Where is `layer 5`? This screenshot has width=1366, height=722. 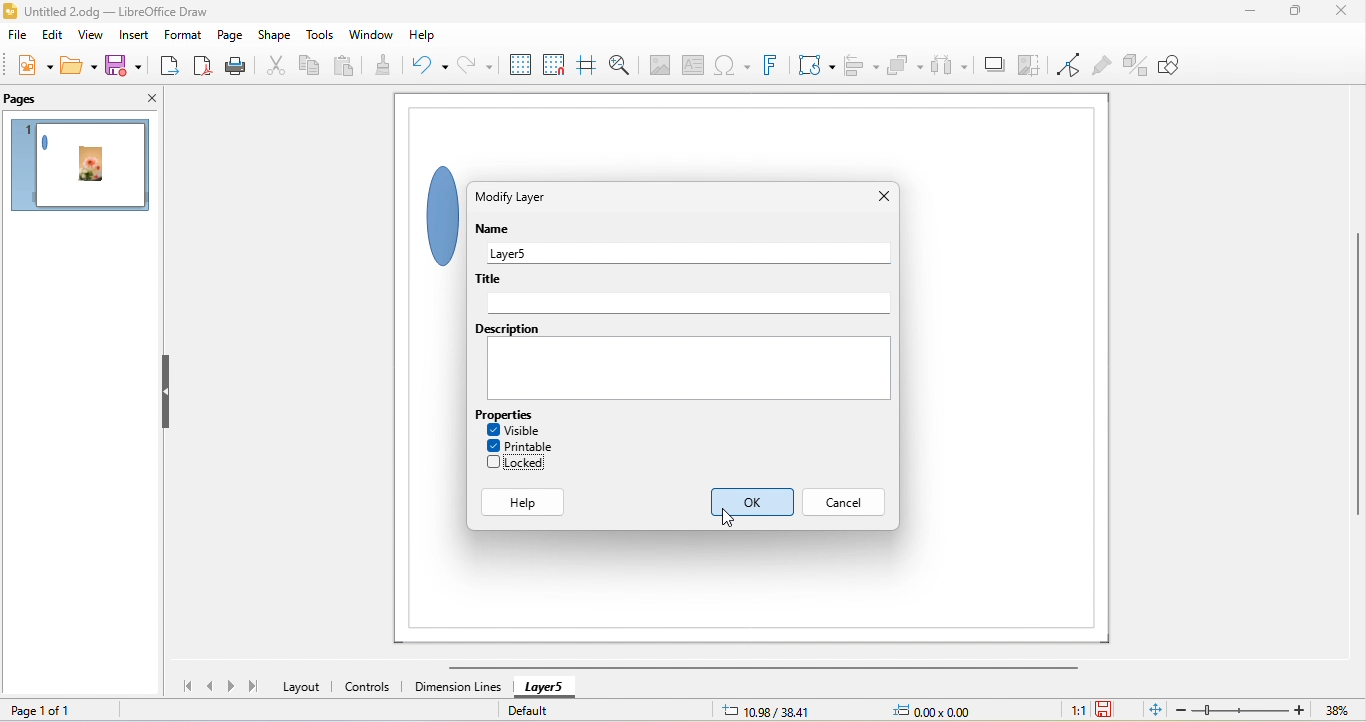 layer 5 is located at coordinates (695, 253).